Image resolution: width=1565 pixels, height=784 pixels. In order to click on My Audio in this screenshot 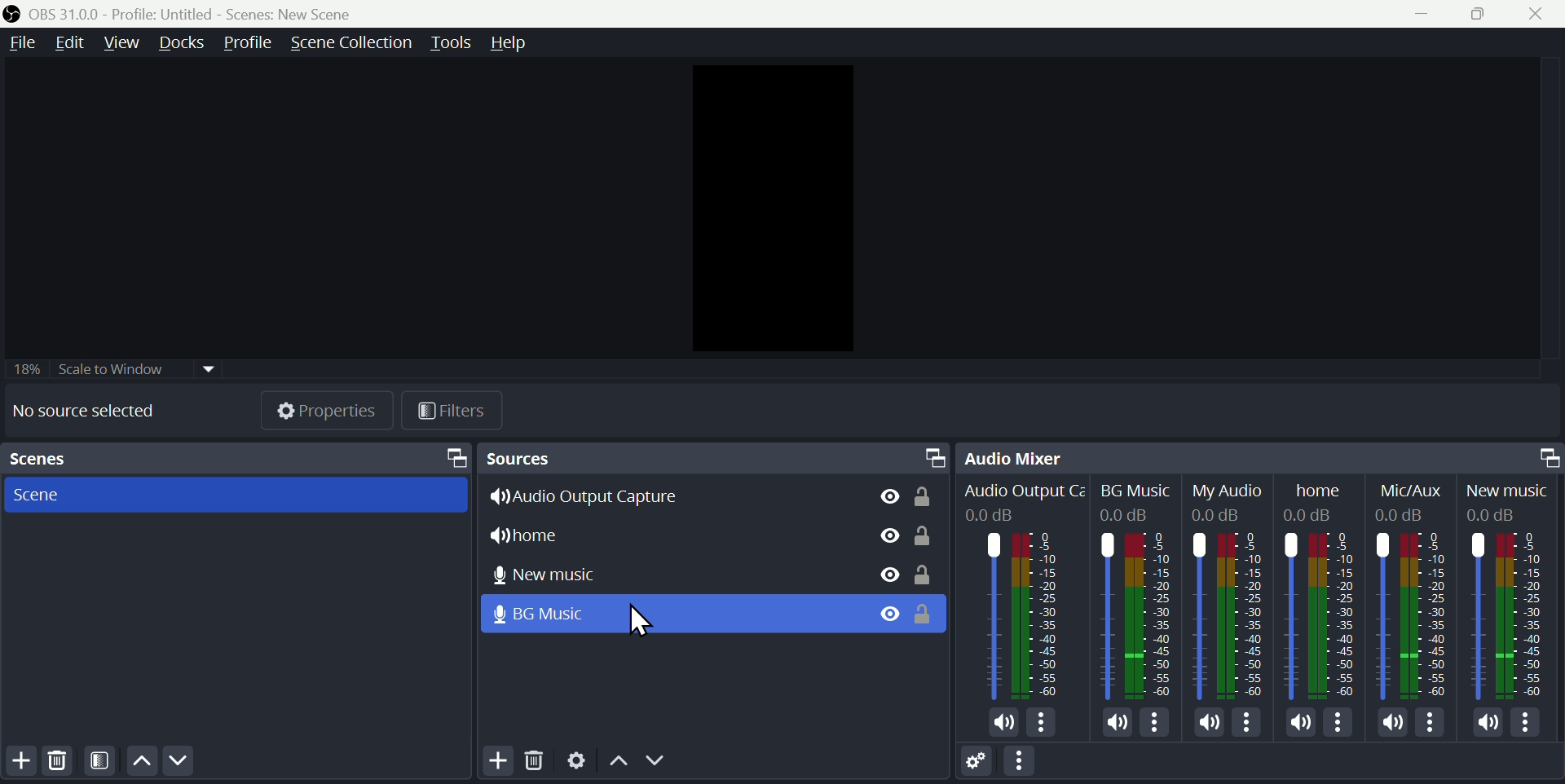, I will do `click(1232, 588)`.